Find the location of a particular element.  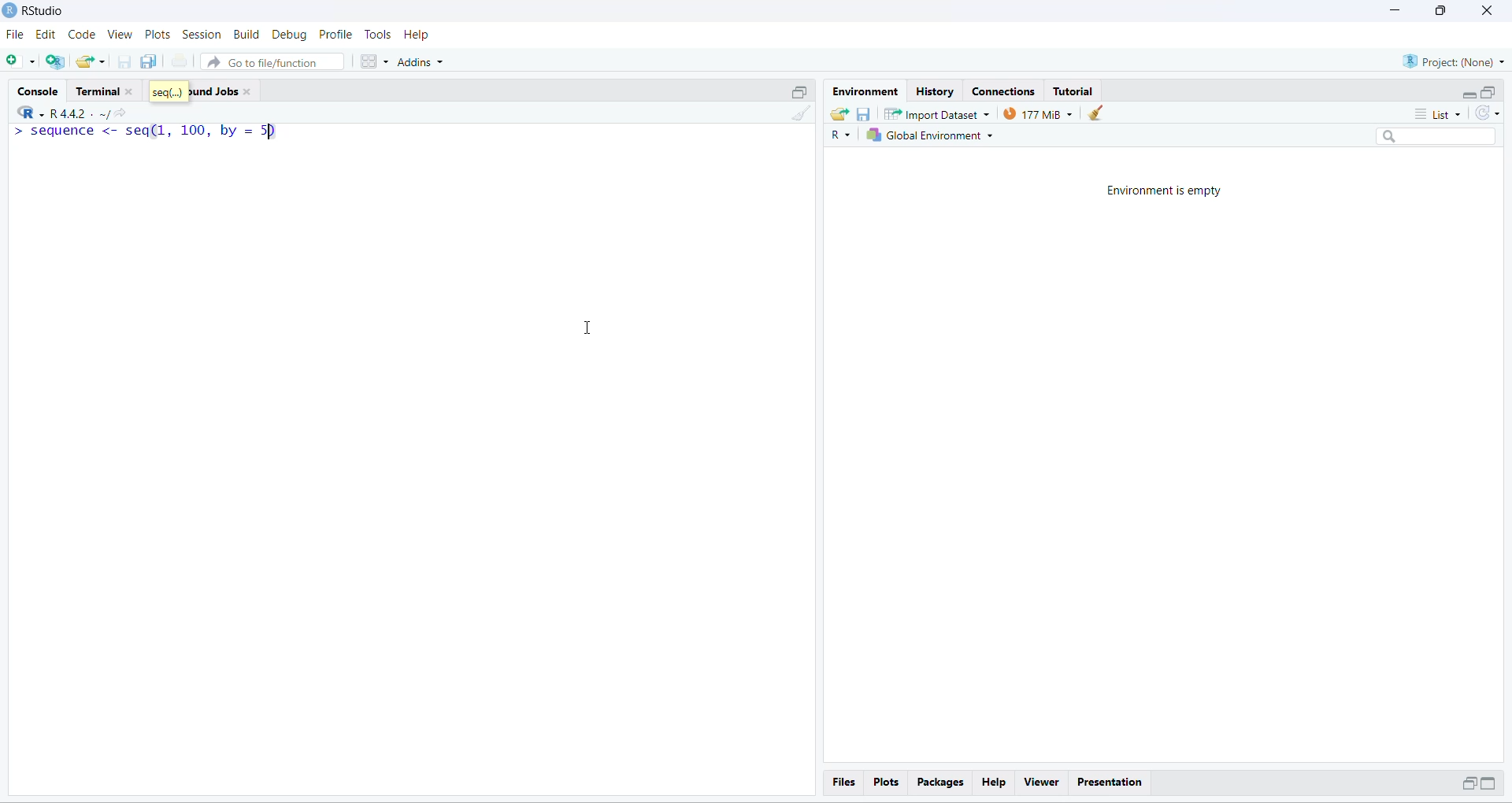

plots is located at coordinates (158, 35).